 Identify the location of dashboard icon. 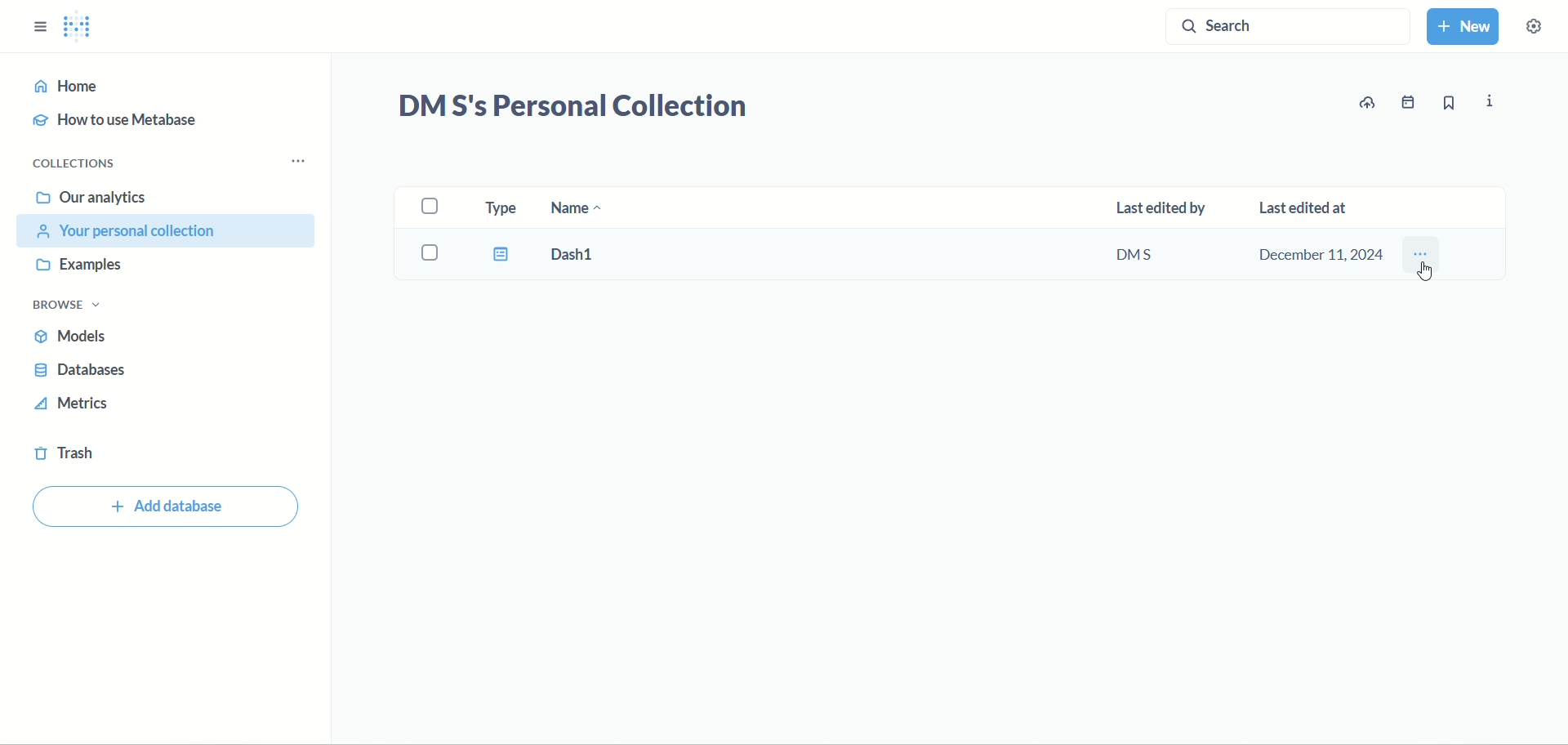
(498, 254).